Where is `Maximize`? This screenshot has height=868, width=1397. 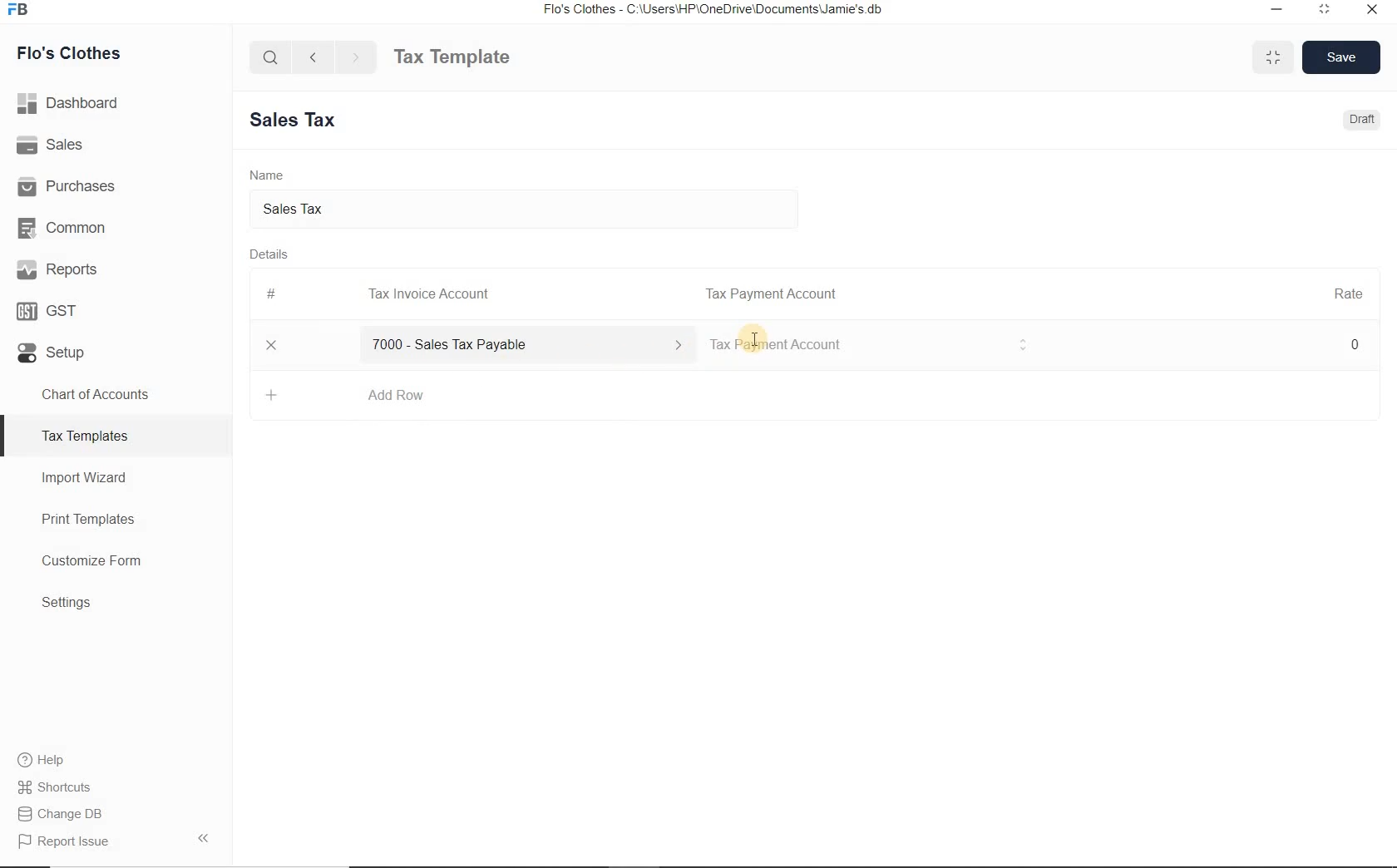 Maximize is located at coordinates (1273, 57).